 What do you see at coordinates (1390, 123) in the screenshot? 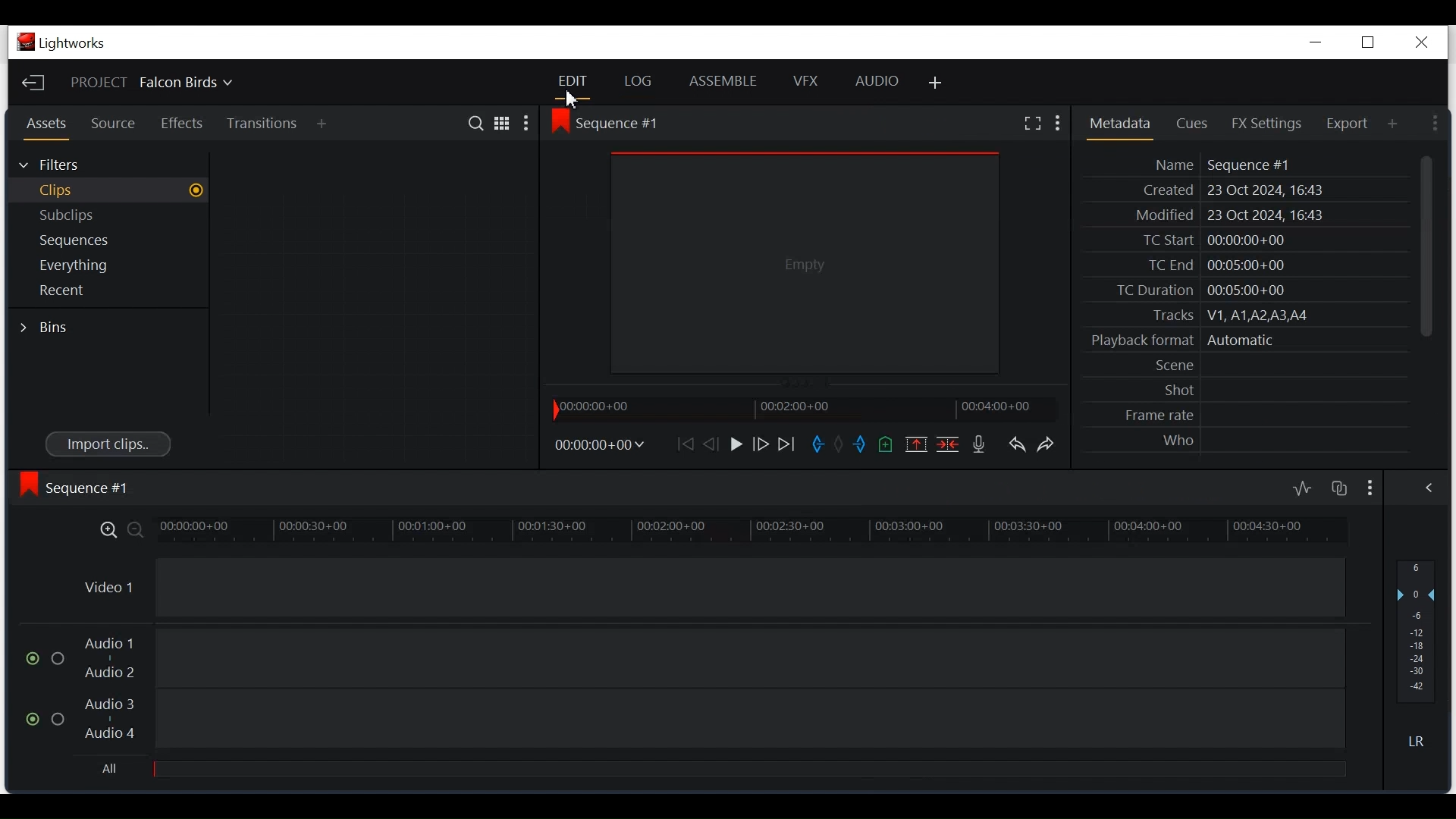
I see `Add Pnael` at bounding box center [1390, 123].